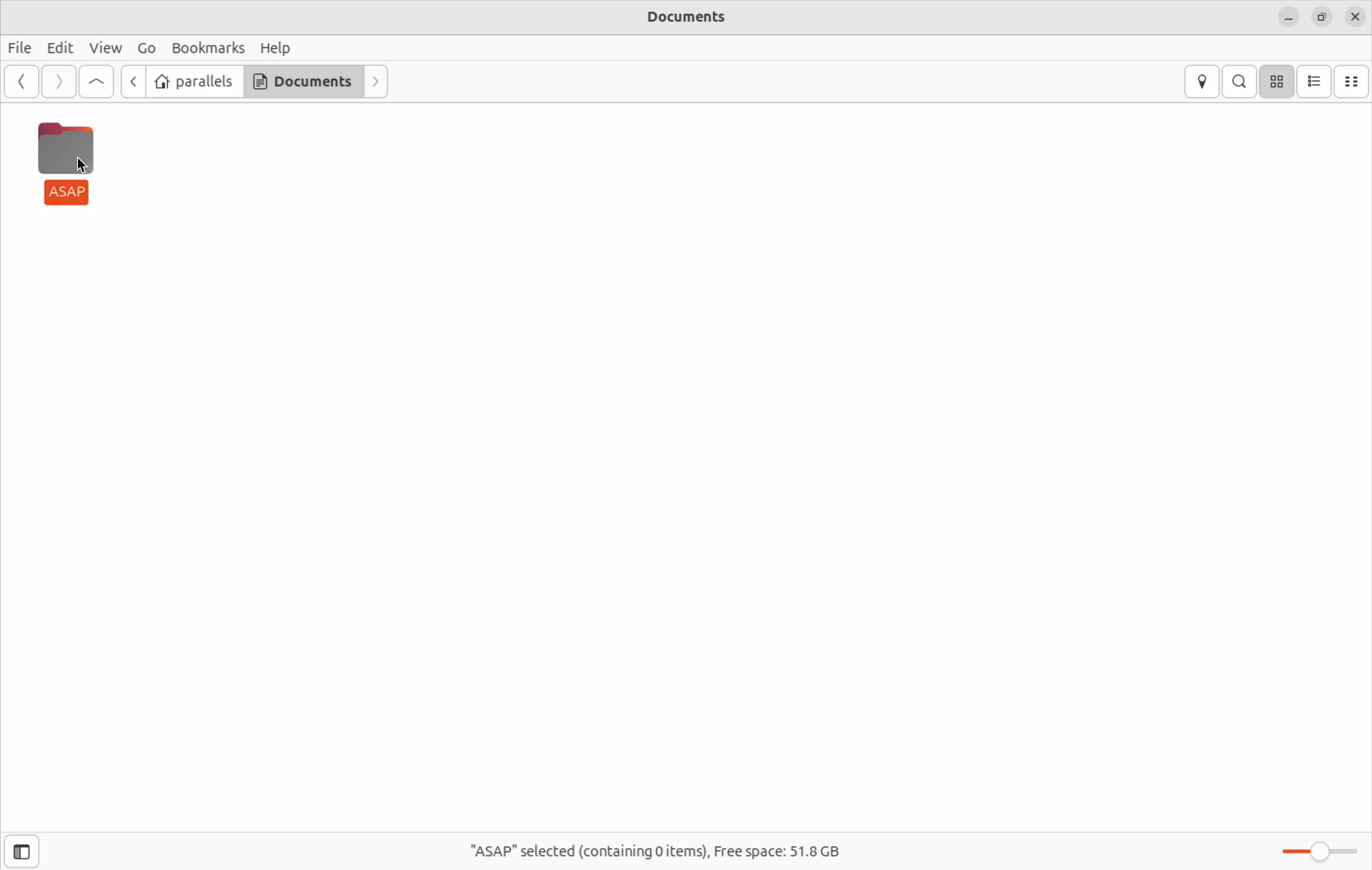 This screenshot has height=870, width=1372. What do you see at coordinates (195, 81) in the screenshot?
I see `parallels` at bounding box center [195, 81].